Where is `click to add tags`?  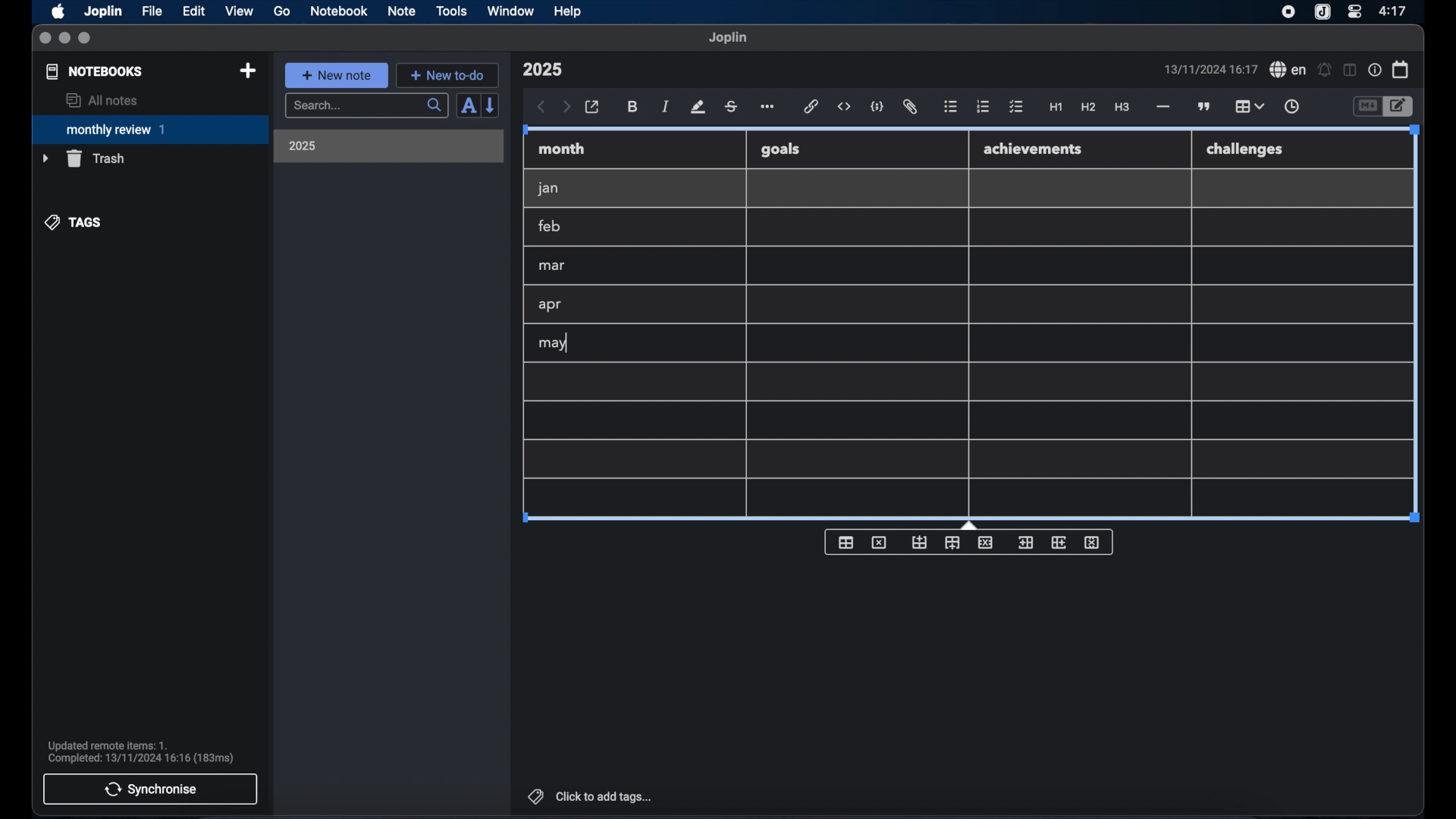
click to add tags is located at coordinates (591, 796).